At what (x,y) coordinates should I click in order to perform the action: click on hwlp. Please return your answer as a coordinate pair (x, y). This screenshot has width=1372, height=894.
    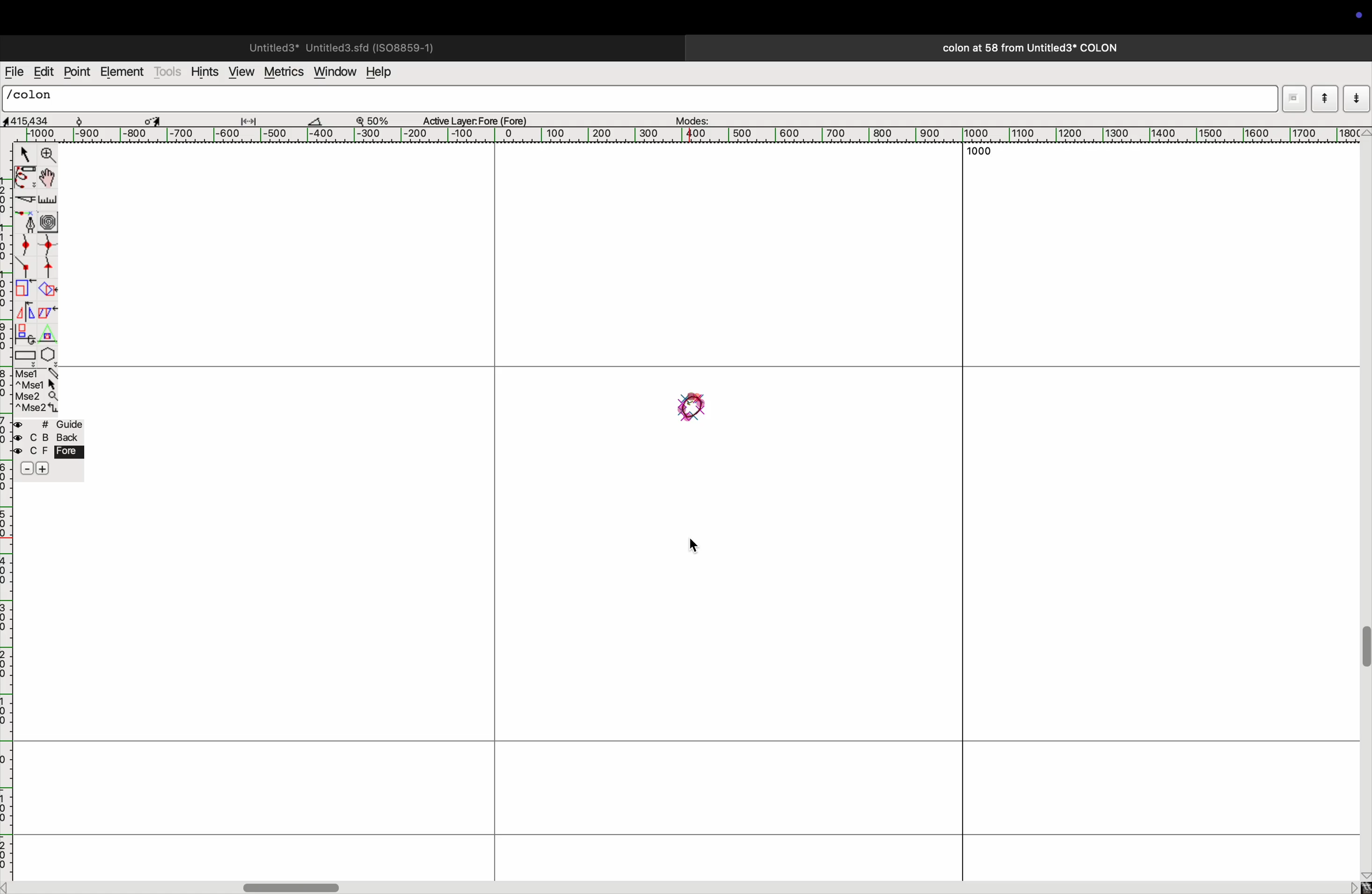
    Looking at the image, I should click on (386, 73).